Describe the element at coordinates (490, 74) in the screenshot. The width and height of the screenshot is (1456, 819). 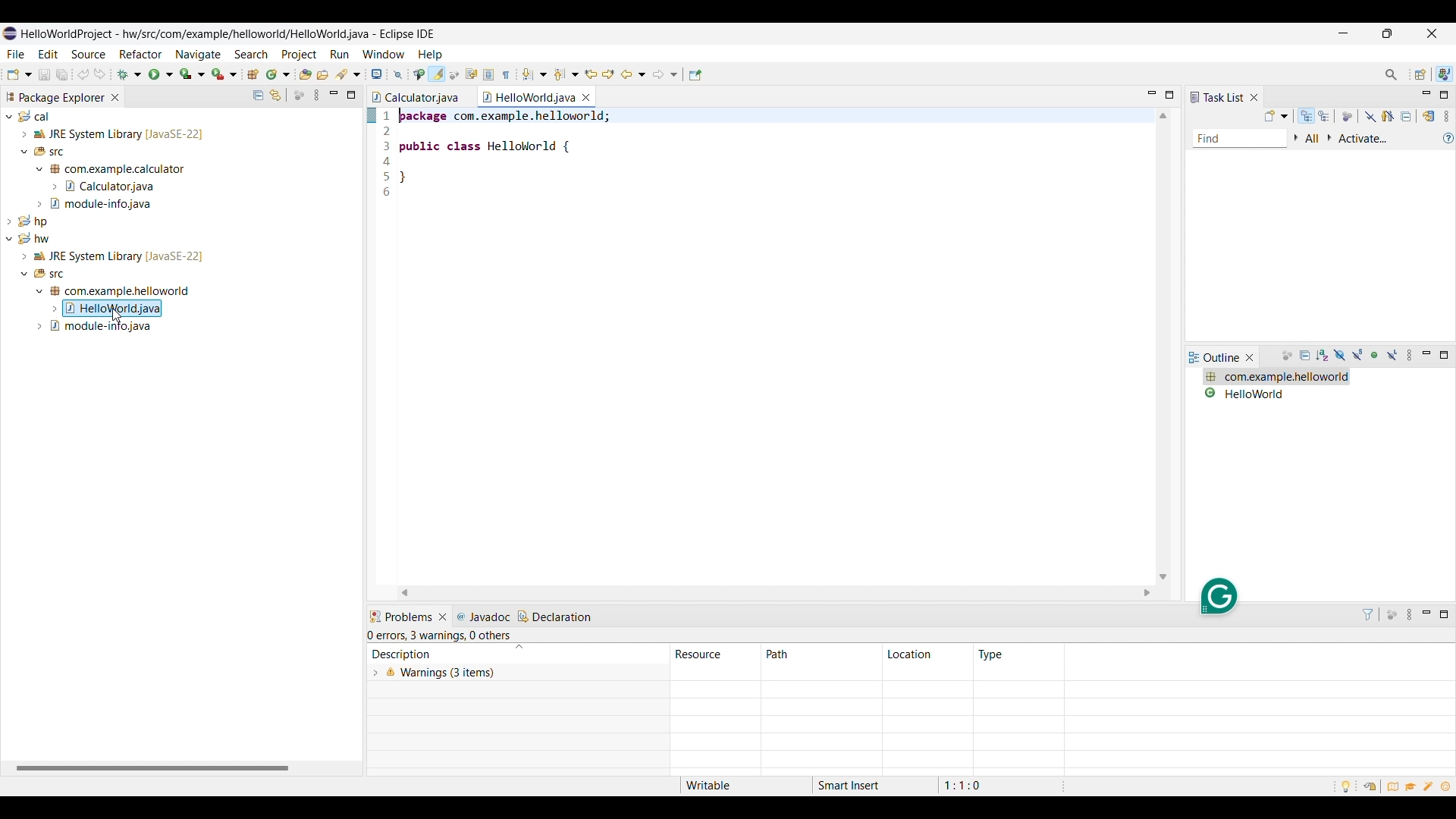
I see `Toggle block selection` at that location.